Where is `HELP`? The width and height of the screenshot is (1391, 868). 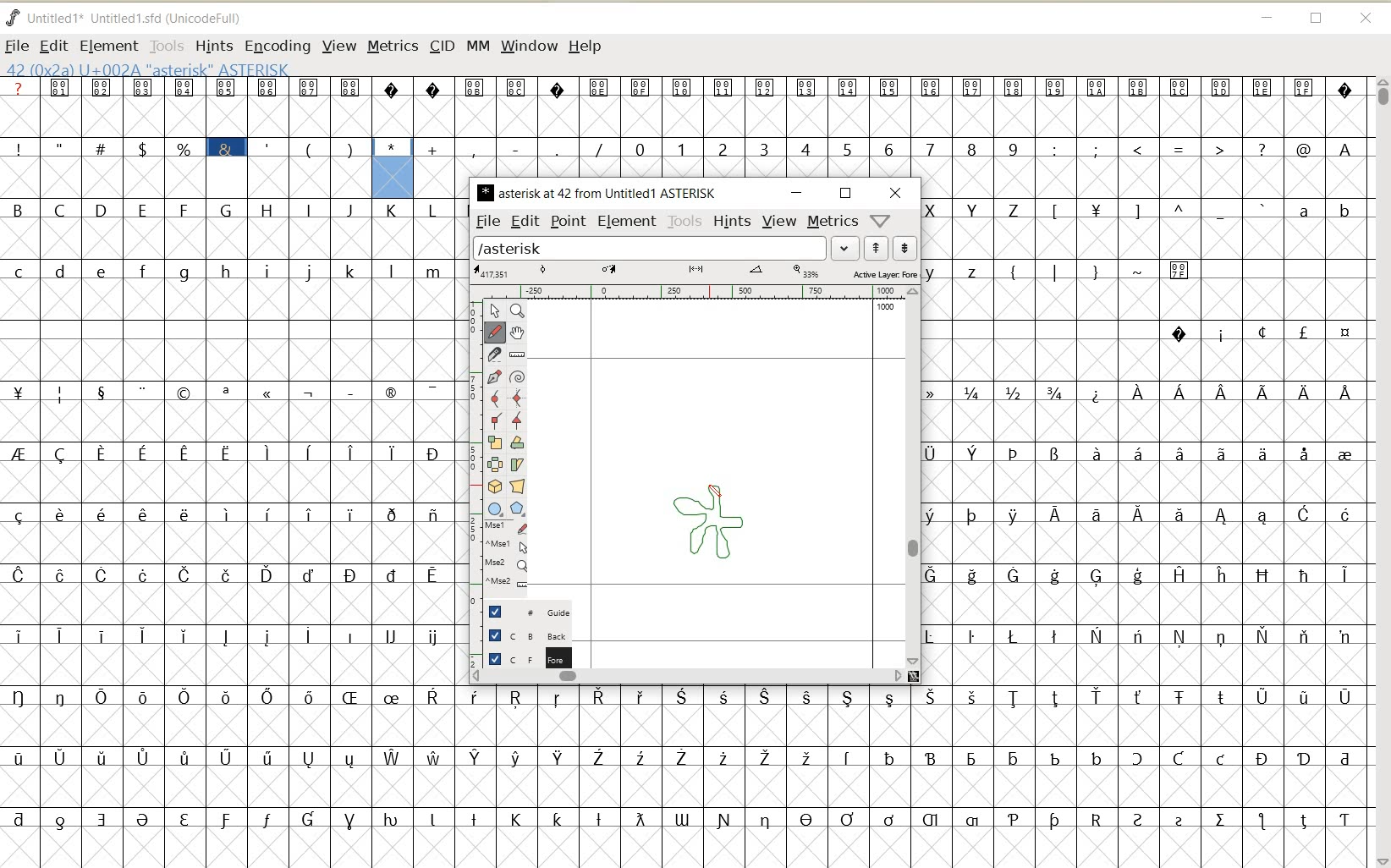
HELP is located at coordinates (585, 47).